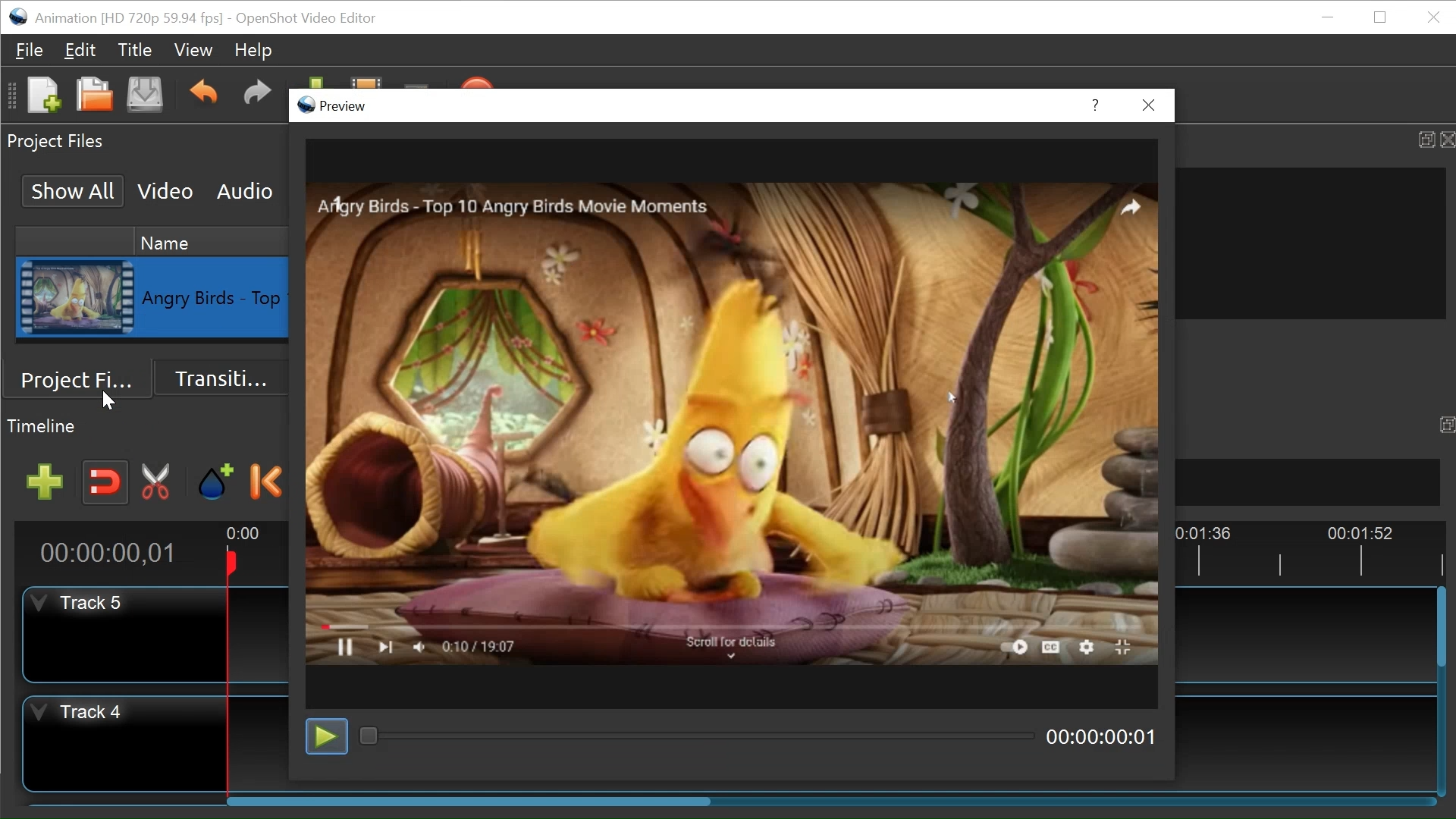 Image resolution: width=1456 pixels, height=819 pixels. What do you see at coordinates (1446, 138) in the screenshot?
I see `Close` at bounding box center [1446, 138].